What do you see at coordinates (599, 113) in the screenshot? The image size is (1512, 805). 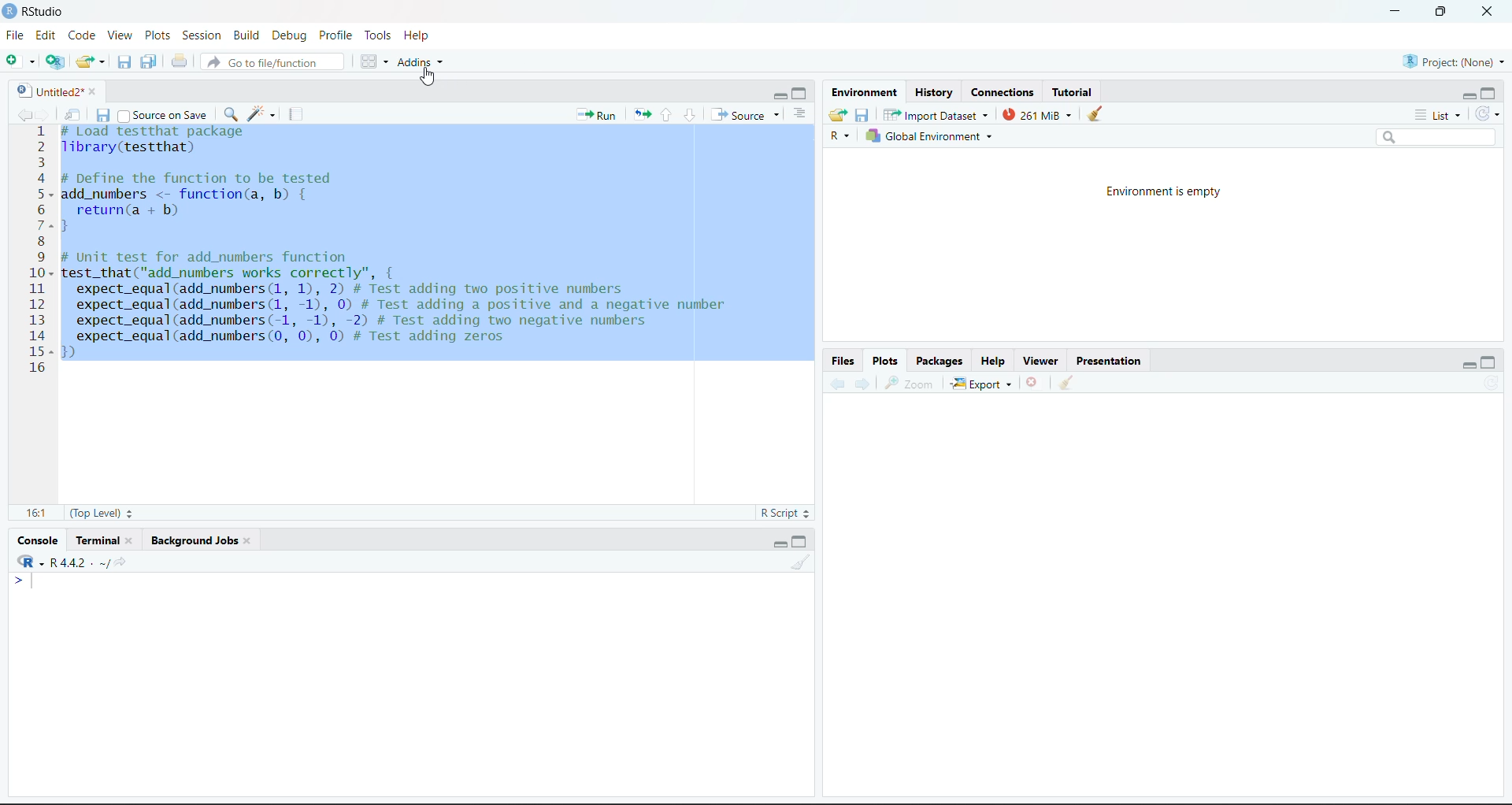 I see `run the current line or selection` at bounding box center [599, 113].